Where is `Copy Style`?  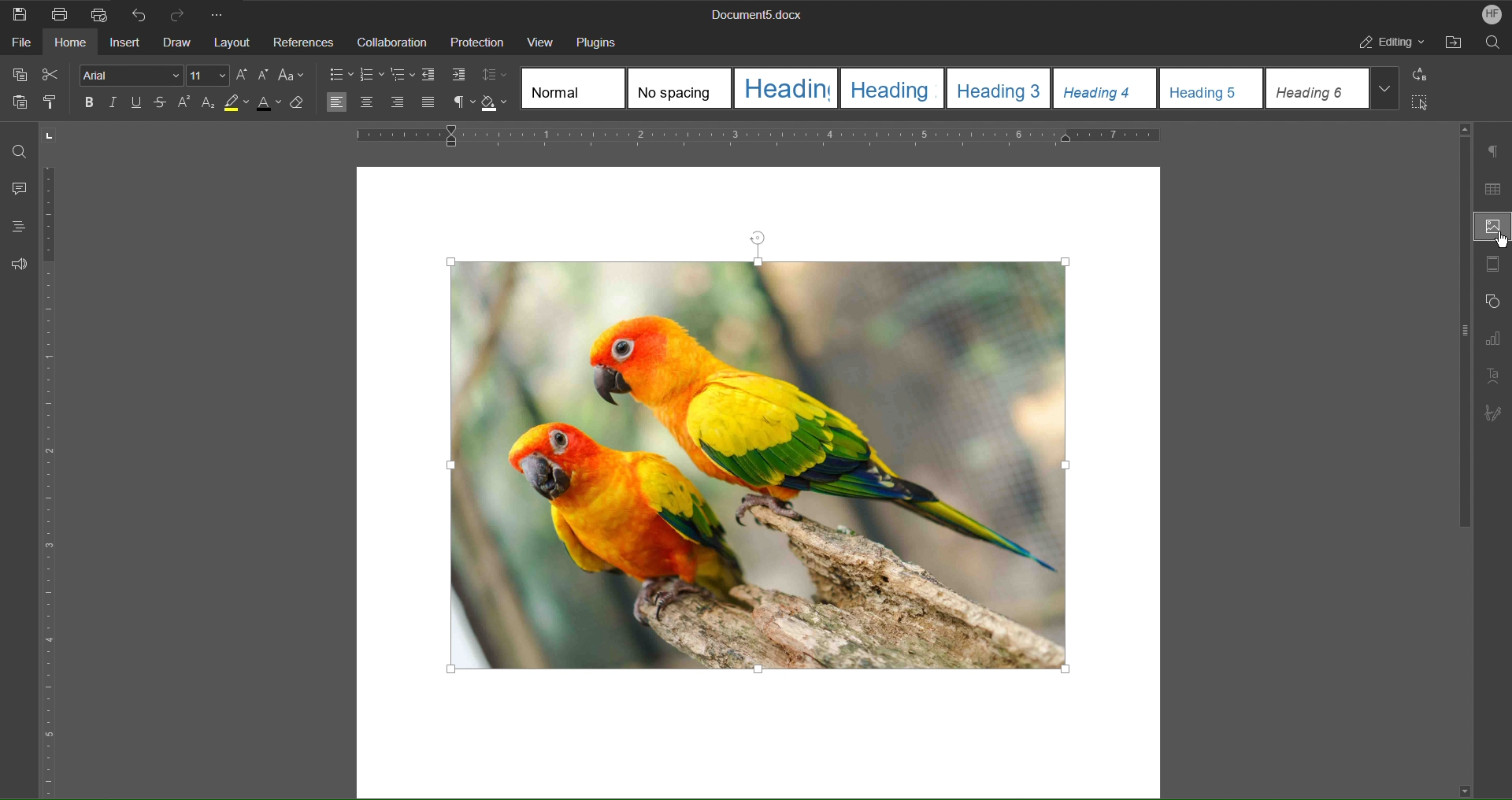 Copy Style is located at coordinates (56, 103).